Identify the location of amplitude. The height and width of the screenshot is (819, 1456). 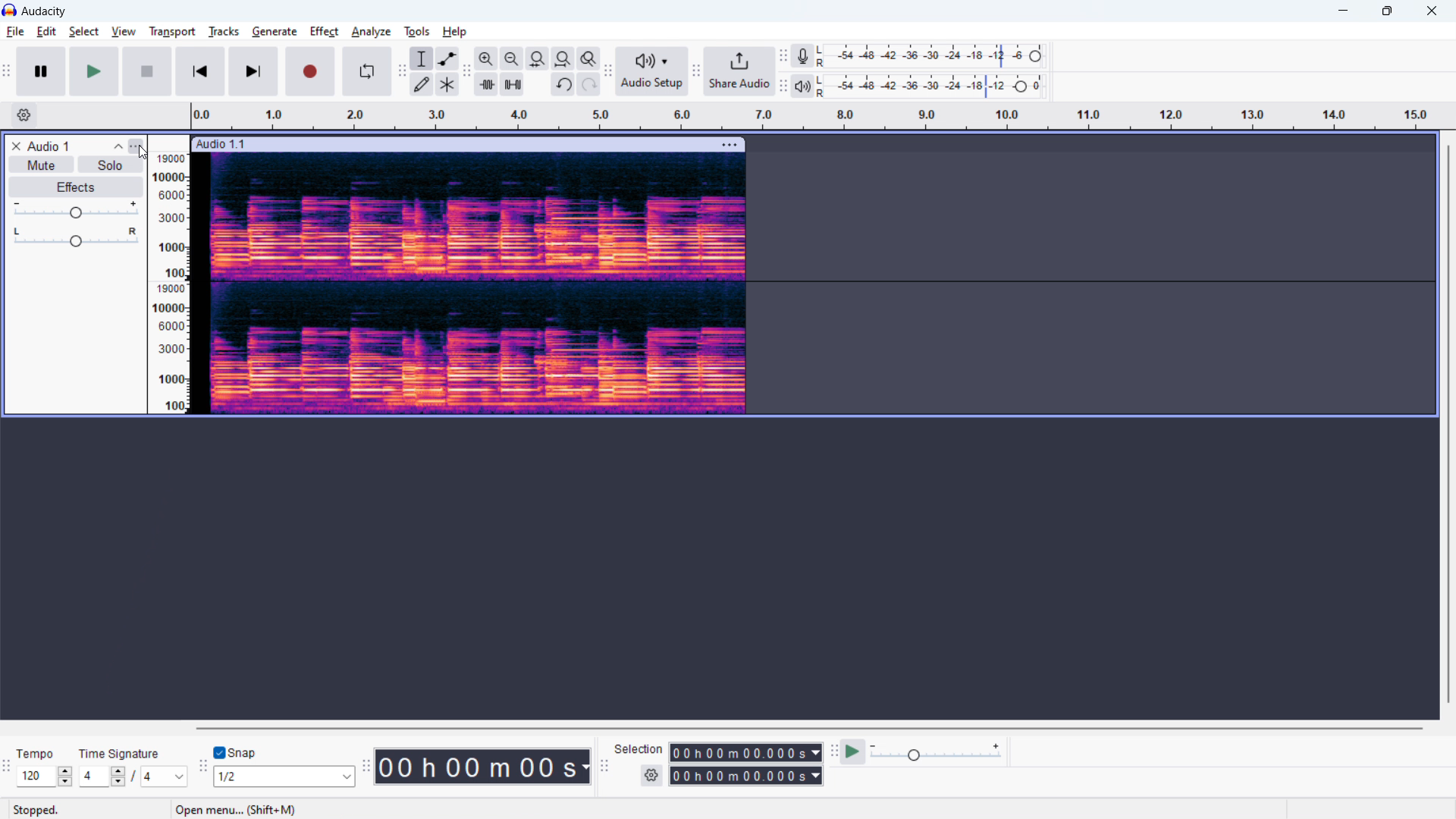
(168, 275).